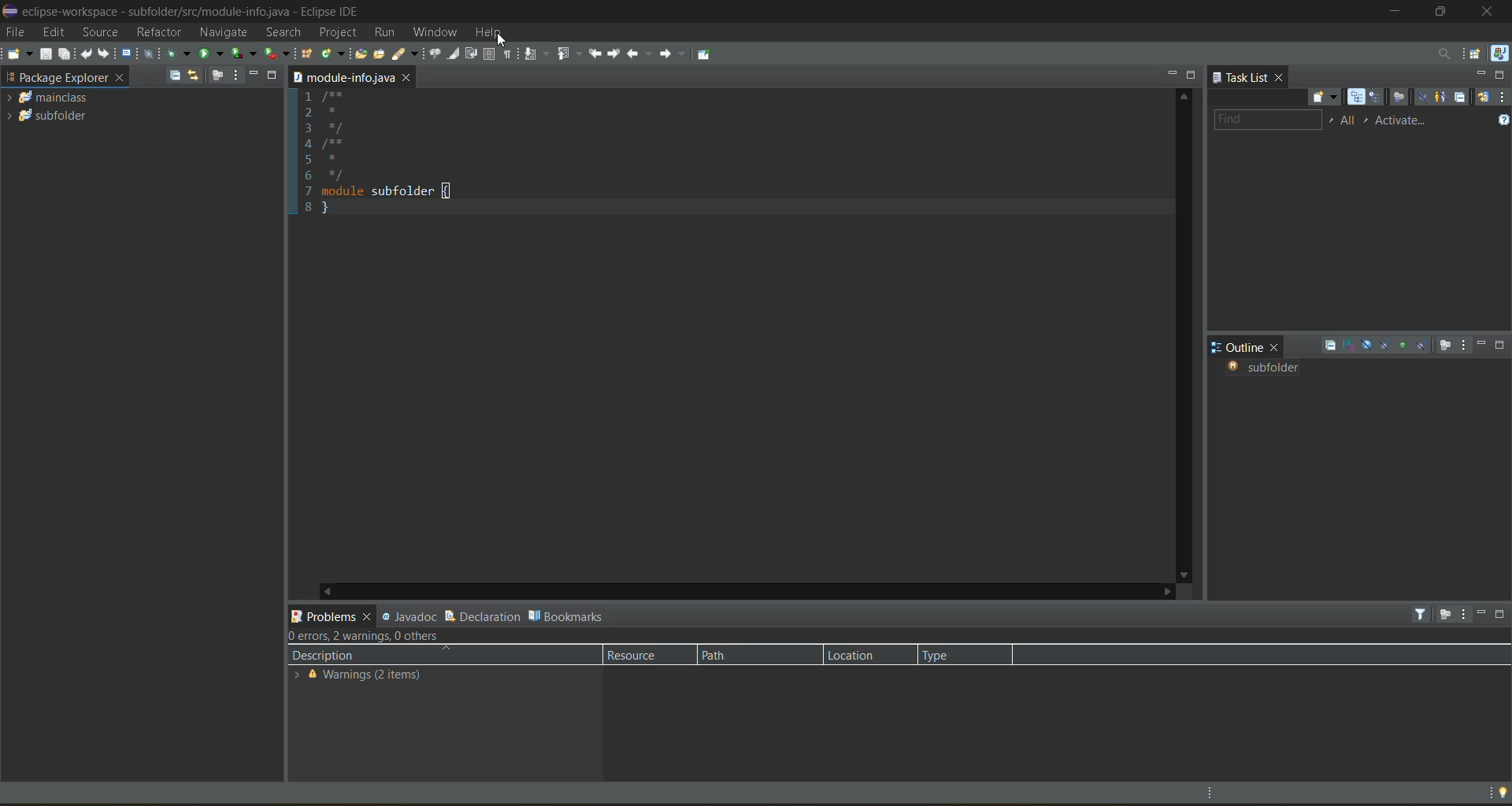 This screenshot has width=1512, height=806. What do you see at coordinates (280, 54) in the screenshot?
I see `run last tool` at bounding box center [280, 54].